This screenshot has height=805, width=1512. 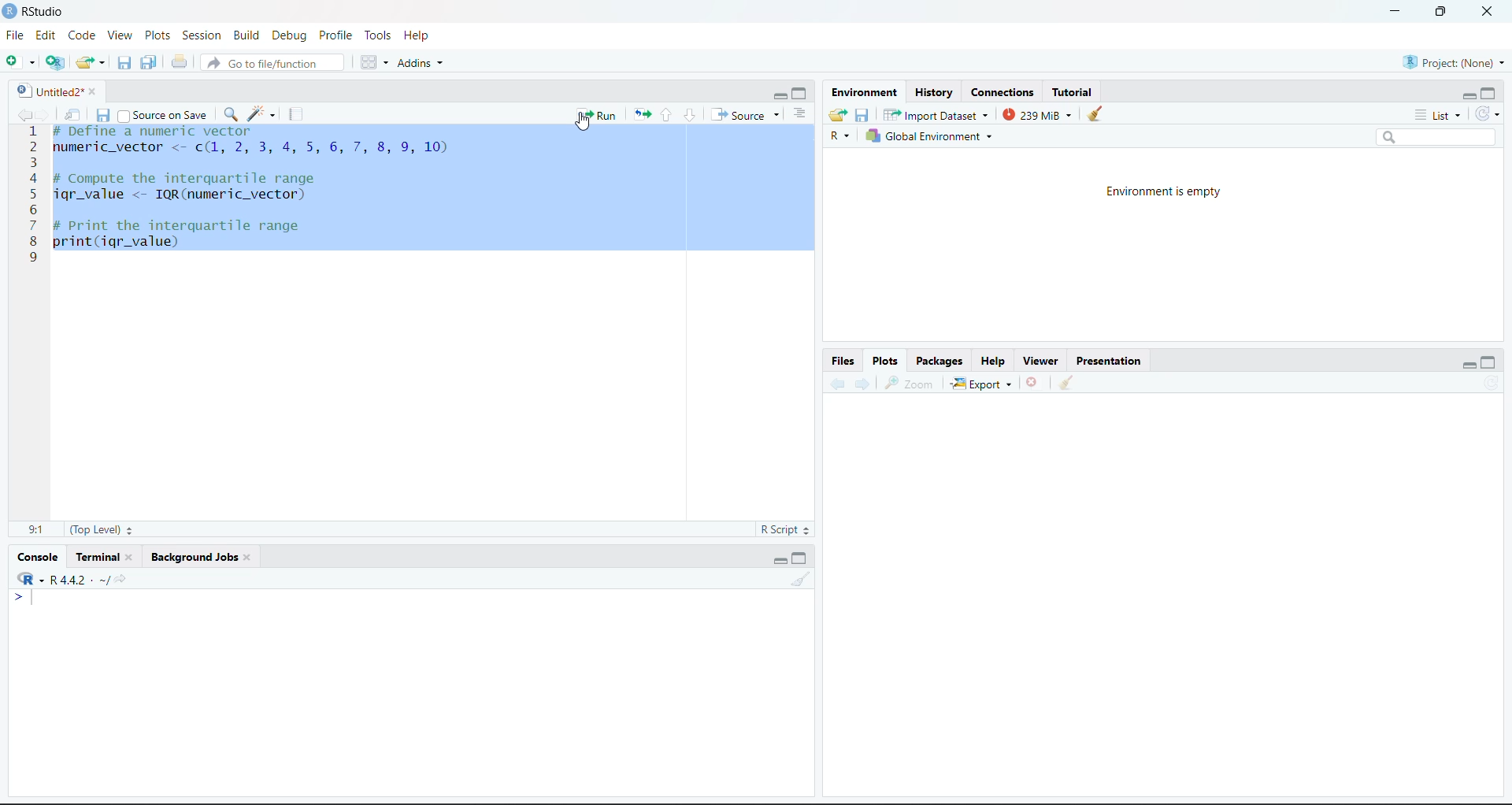 I want to click on Search bar, so click(x=1444, y=139).